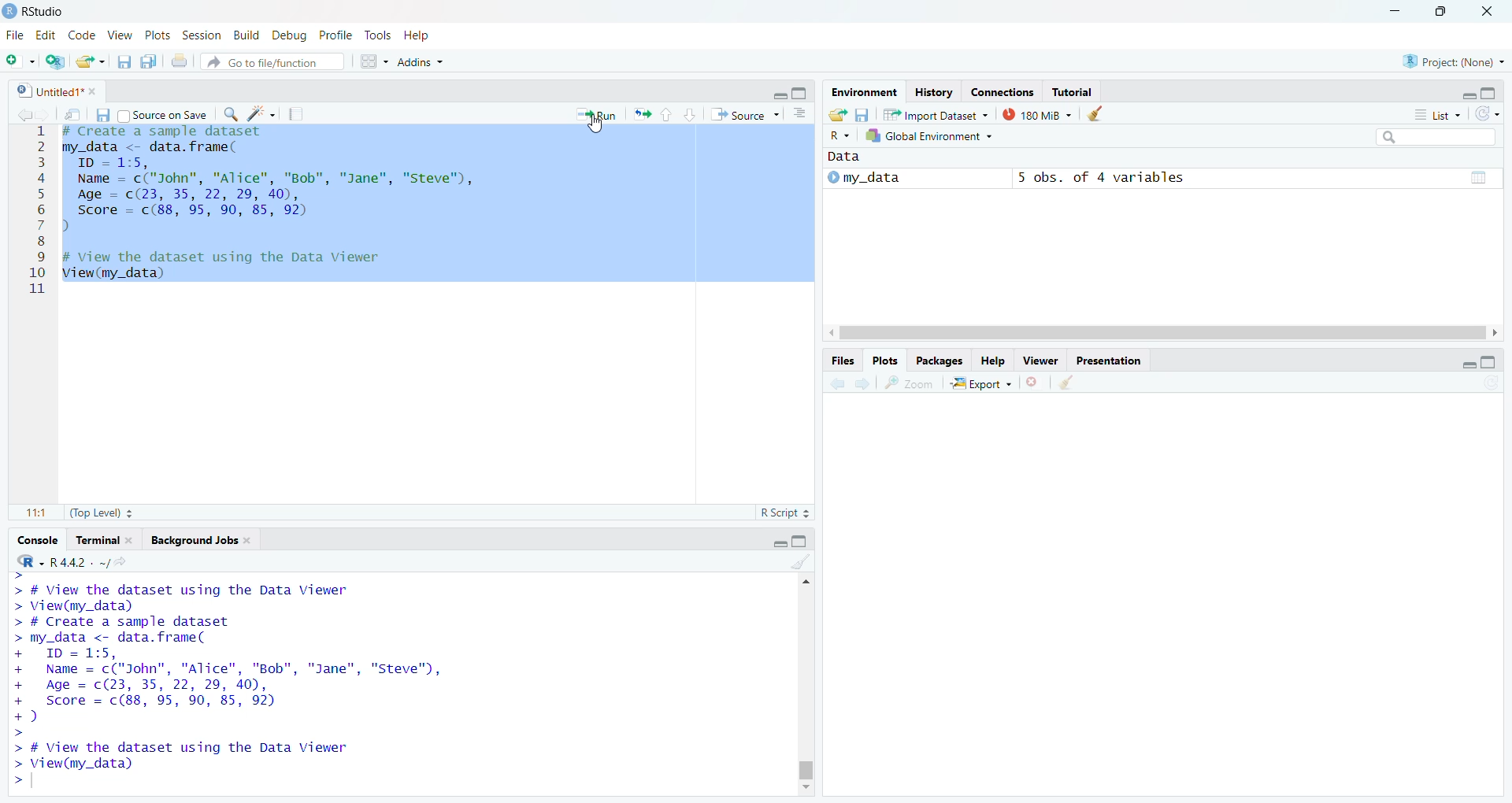  What do you see at coordinates (157, 37) in the screenshot?
I see `Plots` at bounding box center [157, 37].